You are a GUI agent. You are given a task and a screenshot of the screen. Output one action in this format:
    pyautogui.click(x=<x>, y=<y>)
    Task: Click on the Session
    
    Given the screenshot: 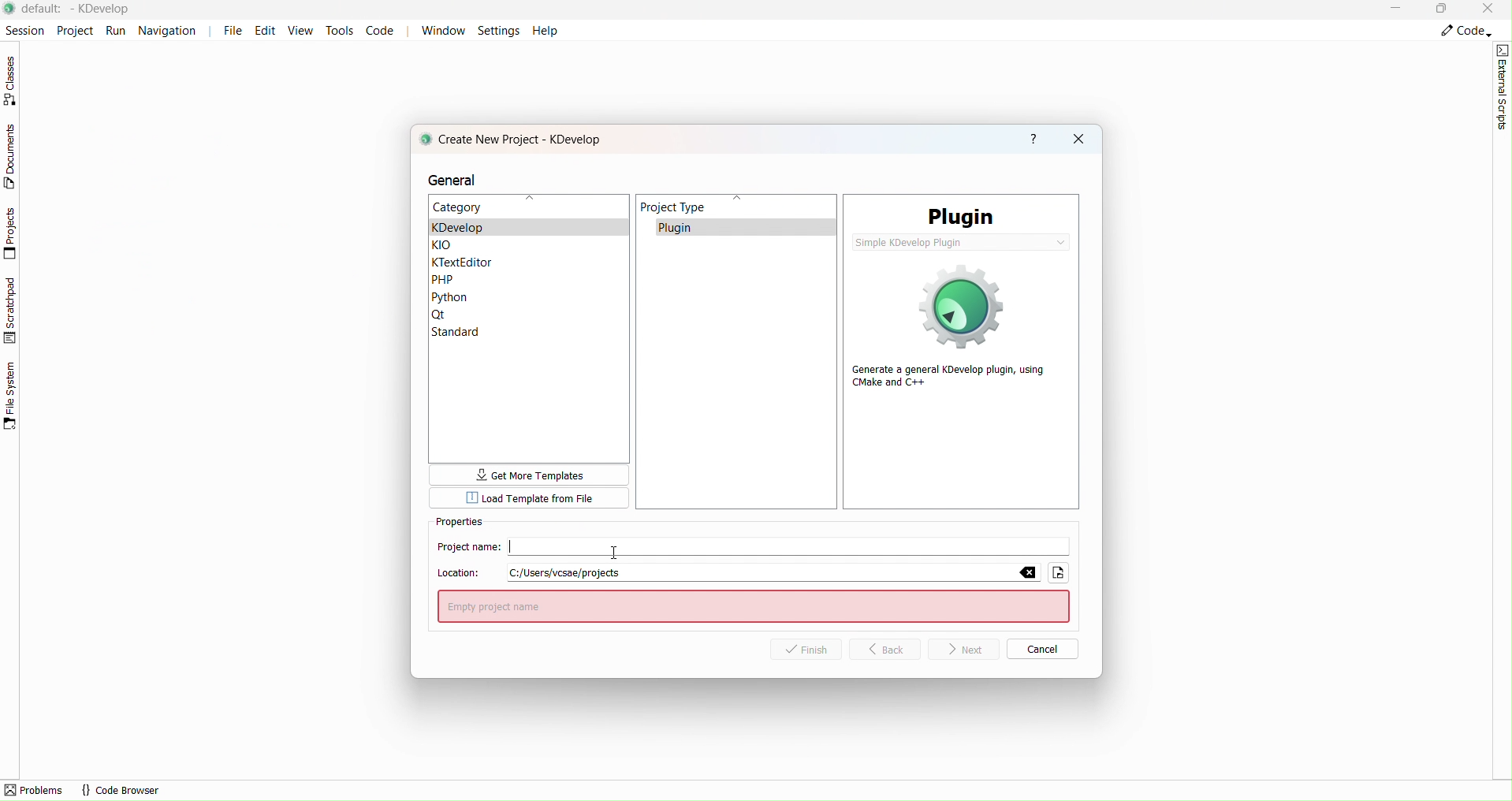 What is the action you would take?
    pyautogui.click(x=23, y=28)
    